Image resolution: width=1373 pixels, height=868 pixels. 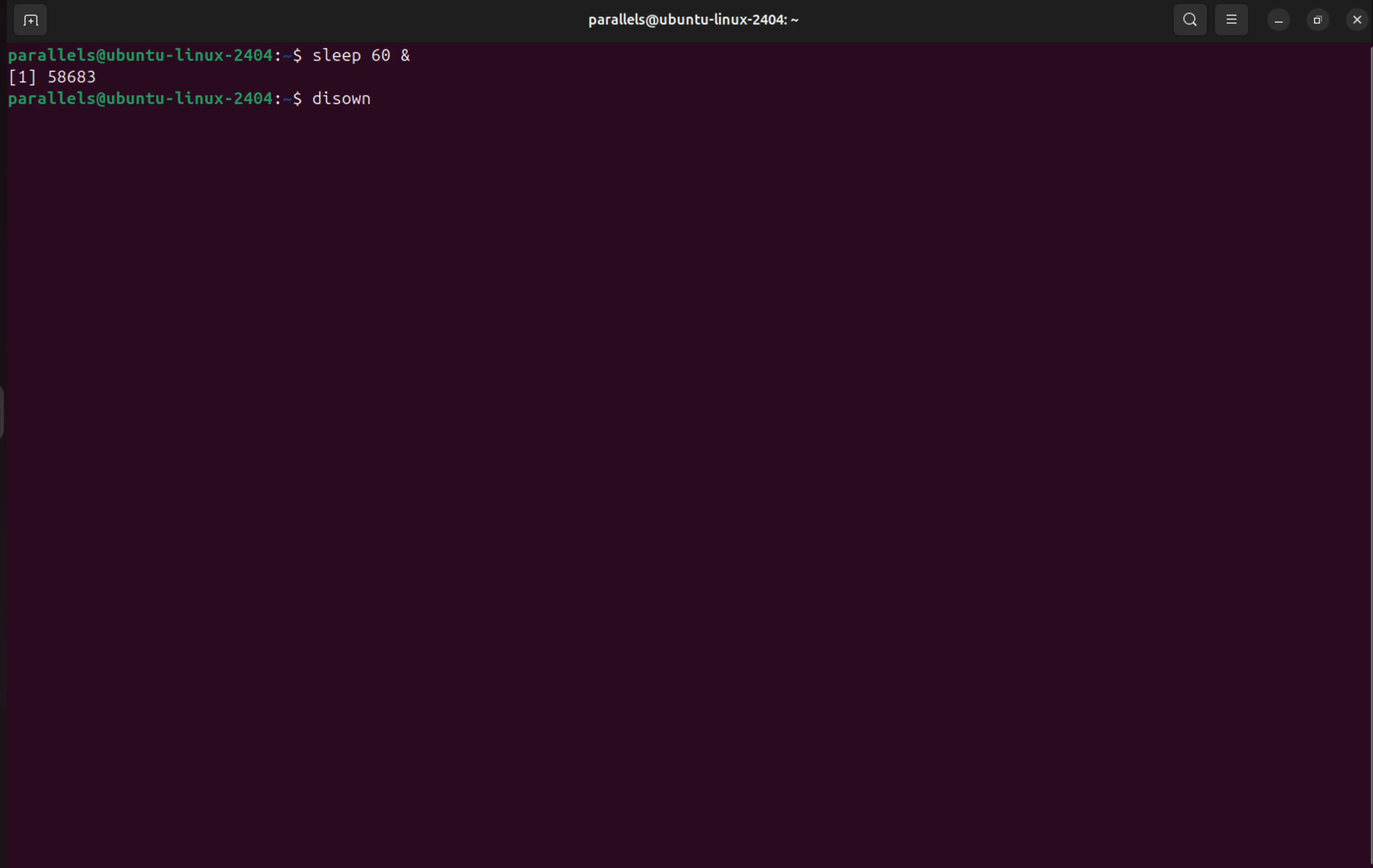 I want to click on view options, so click(x=1233, y=20).